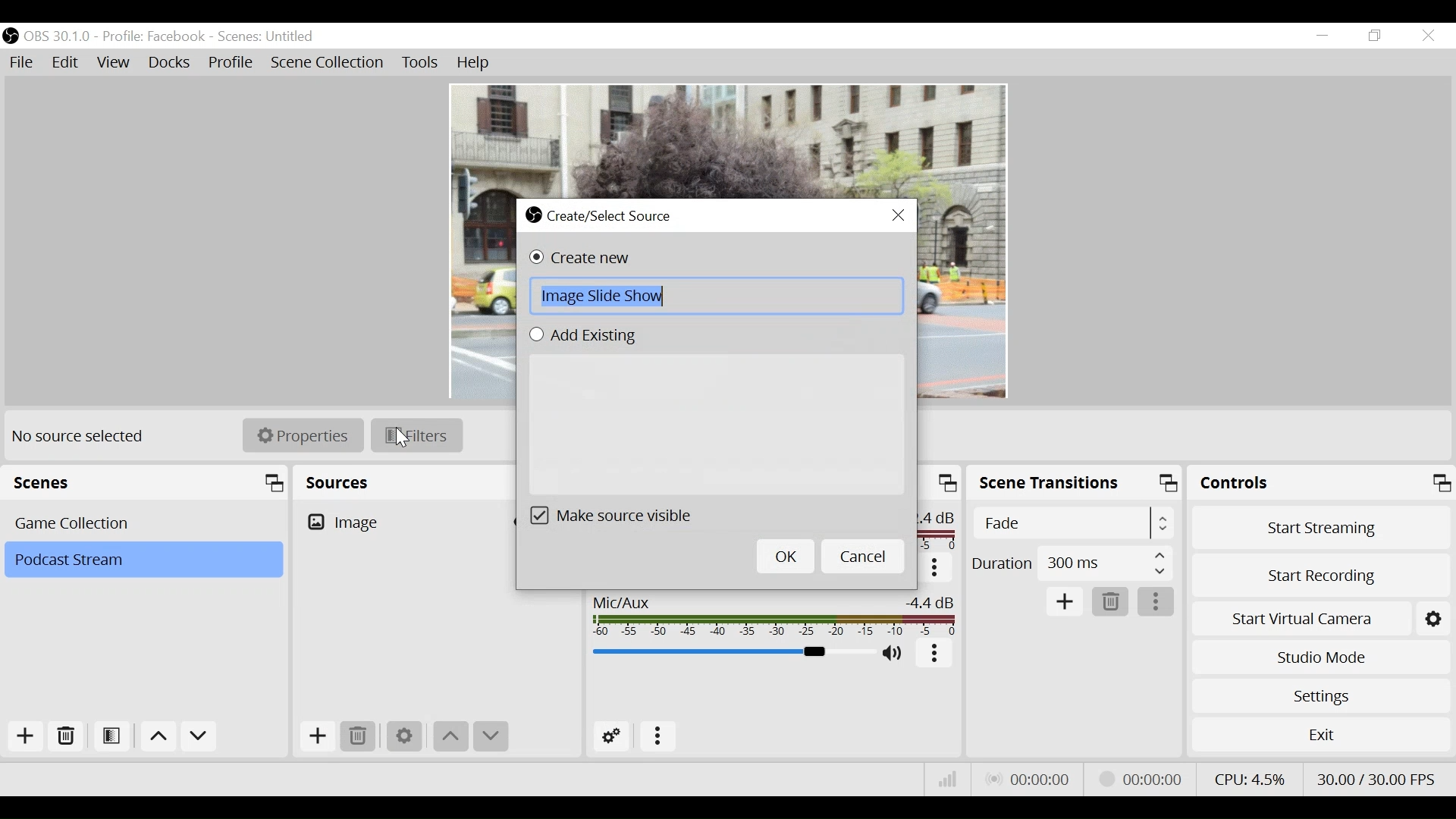  I want to click on Remove, so click(67, 737).